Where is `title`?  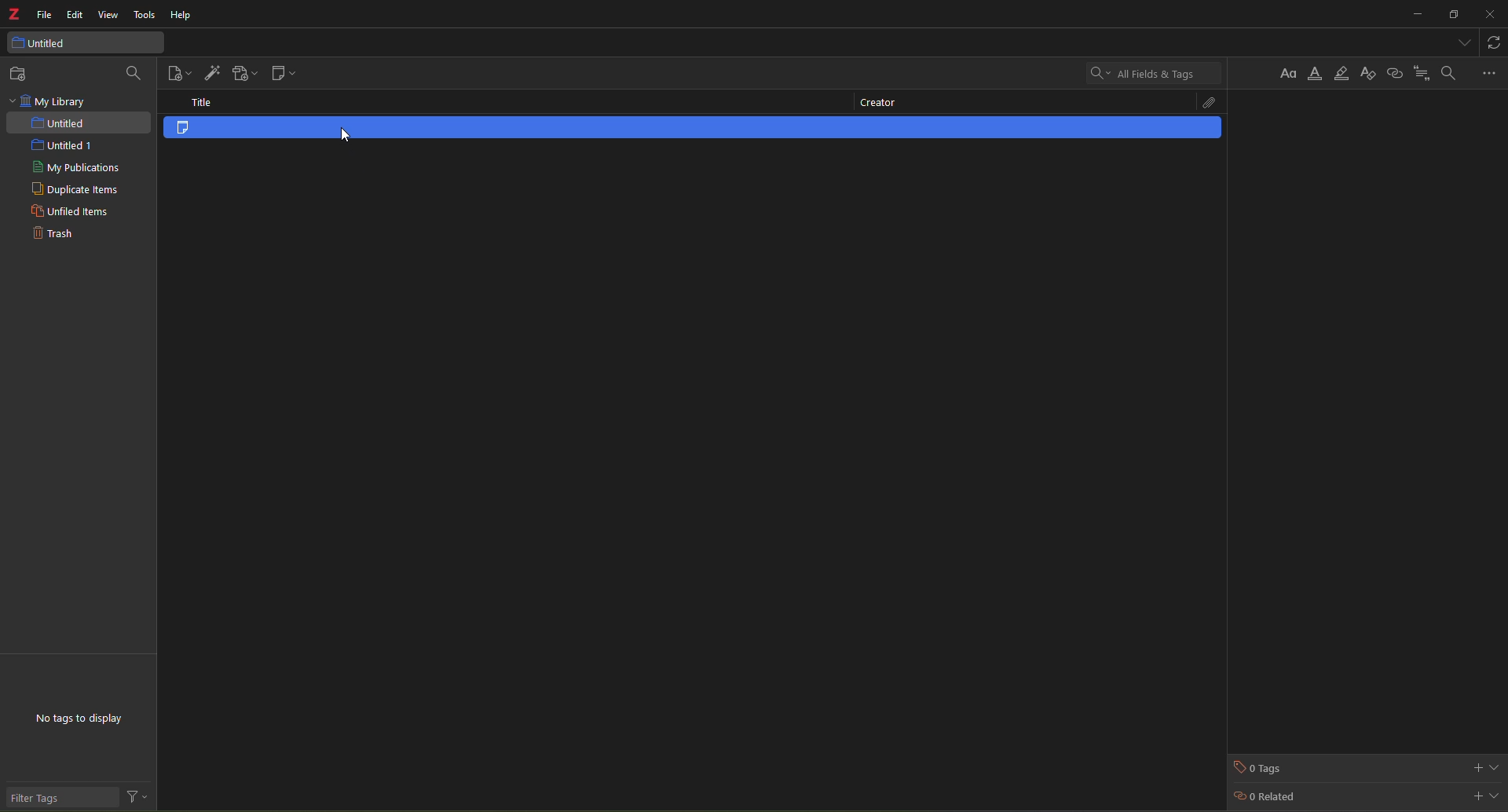 title is located at coordinates (205, 102).